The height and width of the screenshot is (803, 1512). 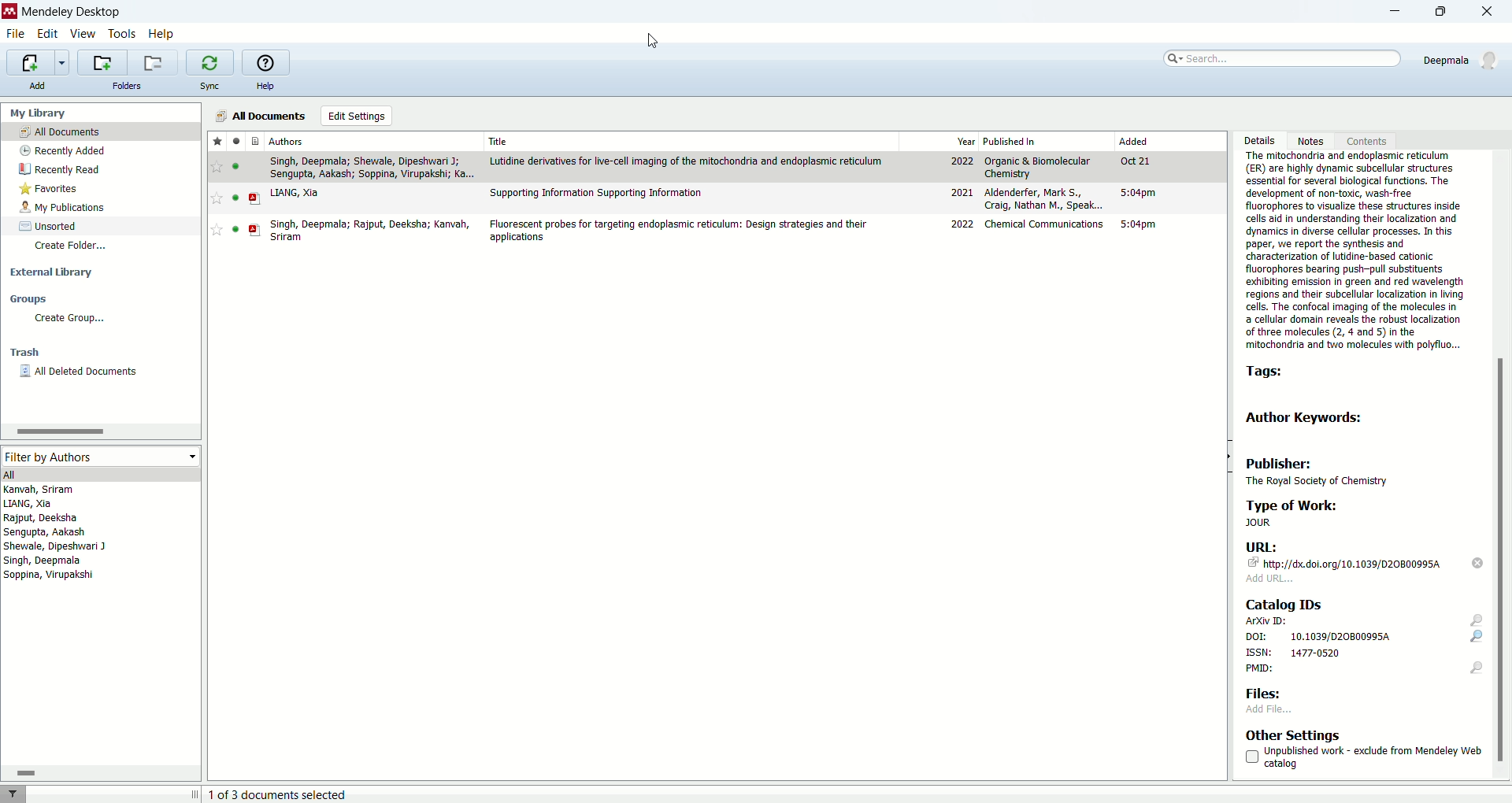 I want to click on other settings, so click(x=1294, y=735).